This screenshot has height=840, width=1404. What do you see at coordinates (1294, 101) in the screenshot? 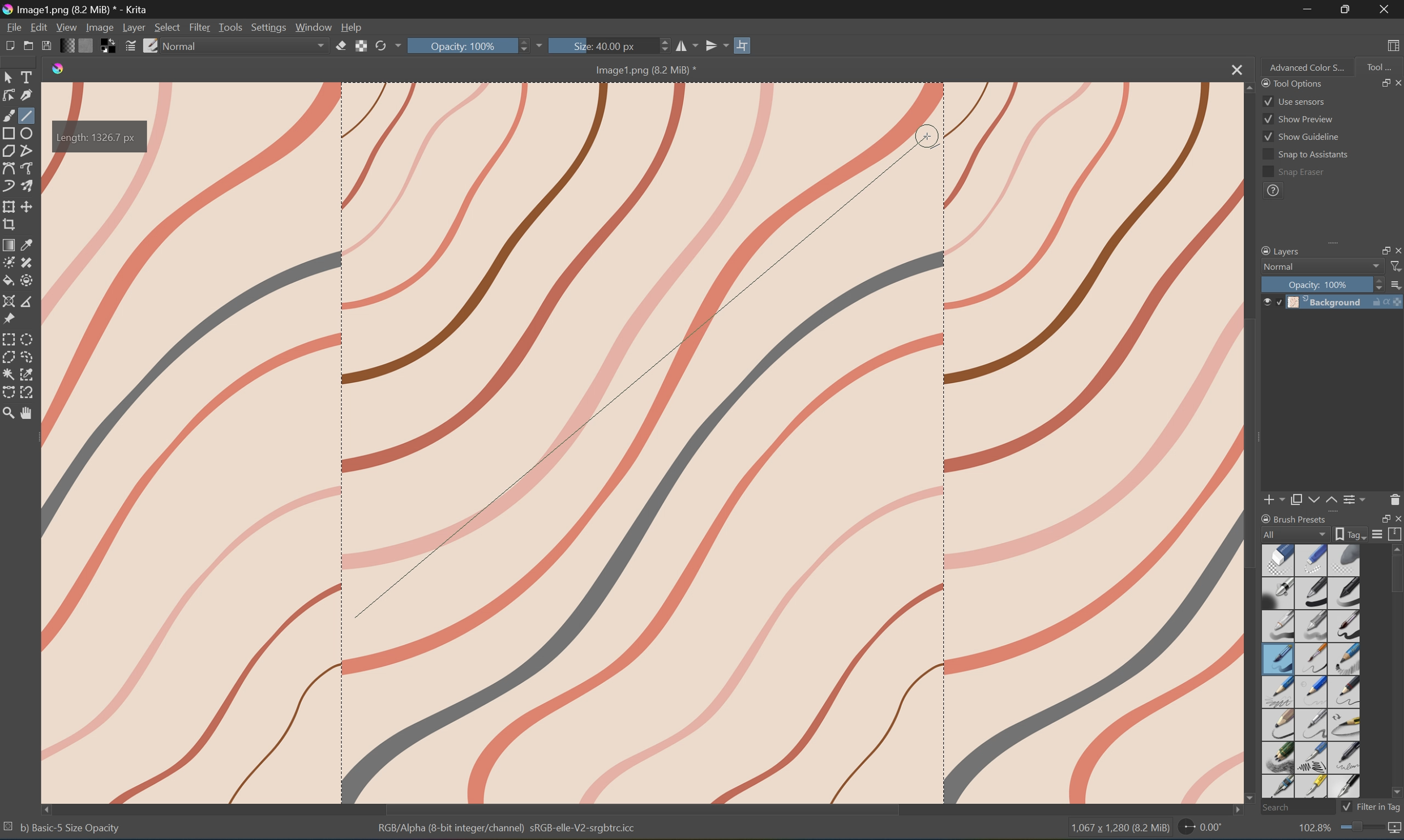
I see `Use sensors` at bounding box center [1294, 101].